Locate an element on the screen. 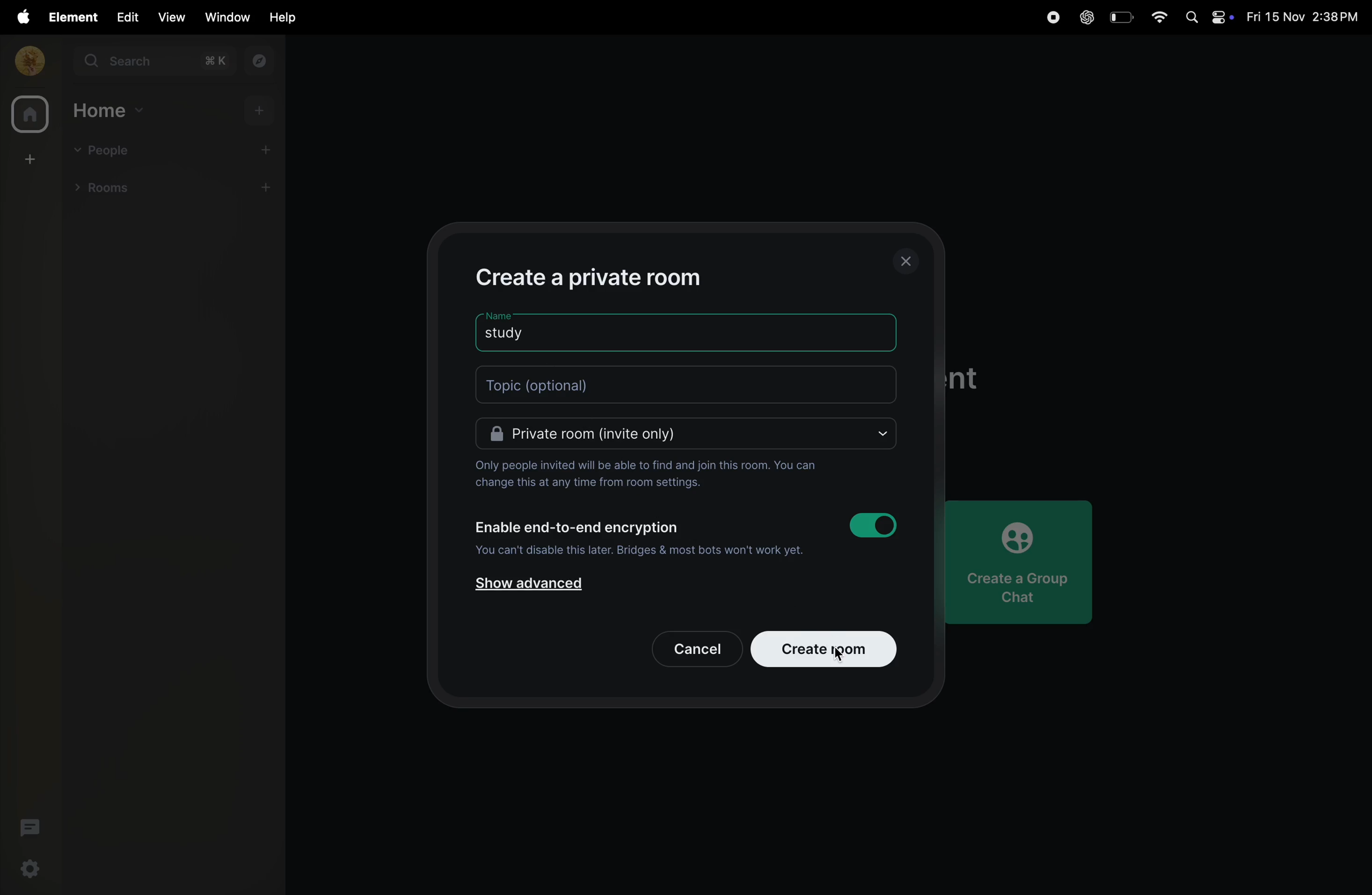 The height and width of the screenshot is (895, 1372). room name is located at coordinates (674, 333).